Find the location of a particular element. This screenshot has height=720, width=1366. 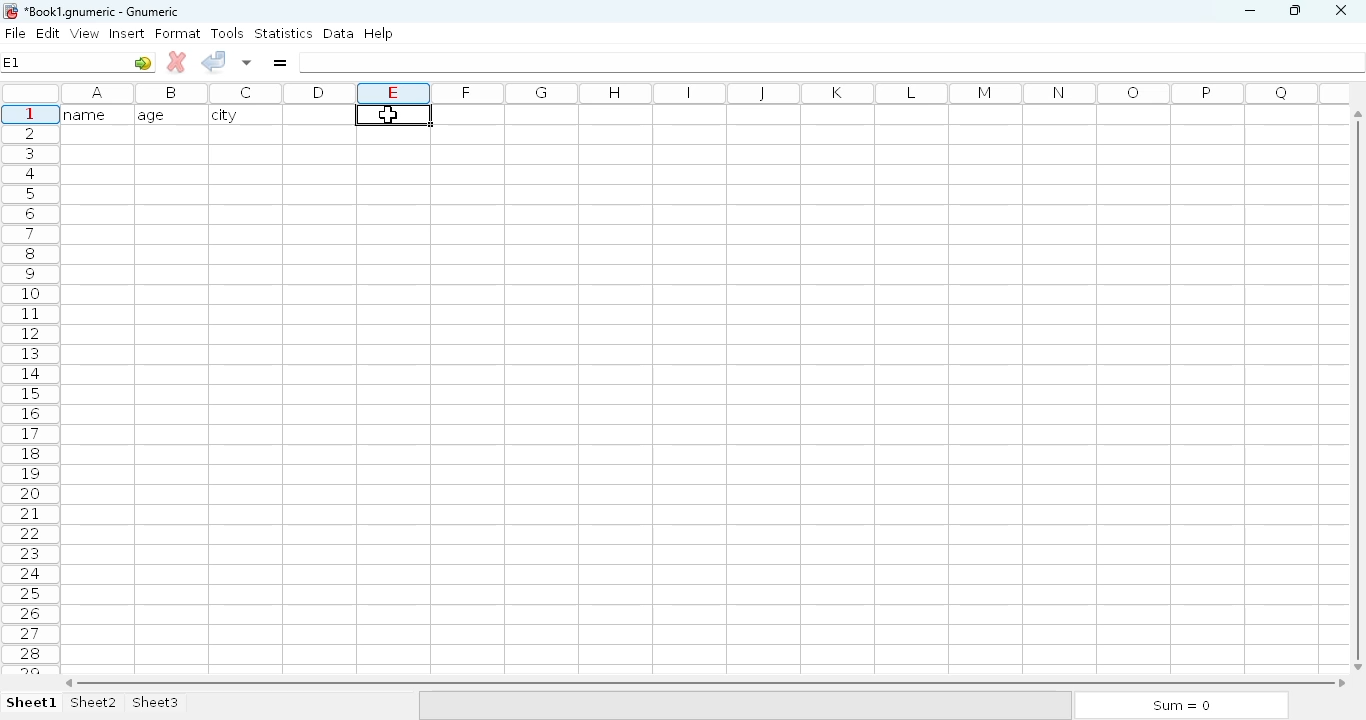

column is located at coordinates (699, 93).